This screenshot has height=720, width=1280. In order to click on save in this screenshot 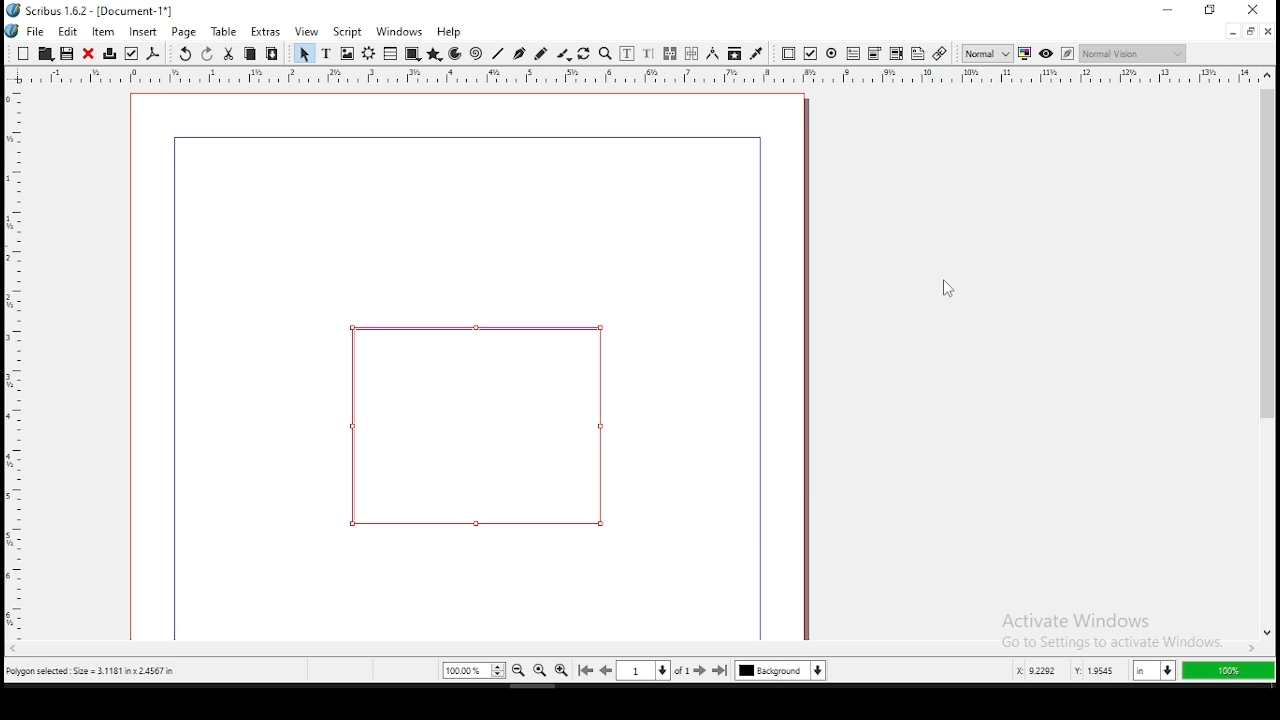, I will do `click(66, 53)`.